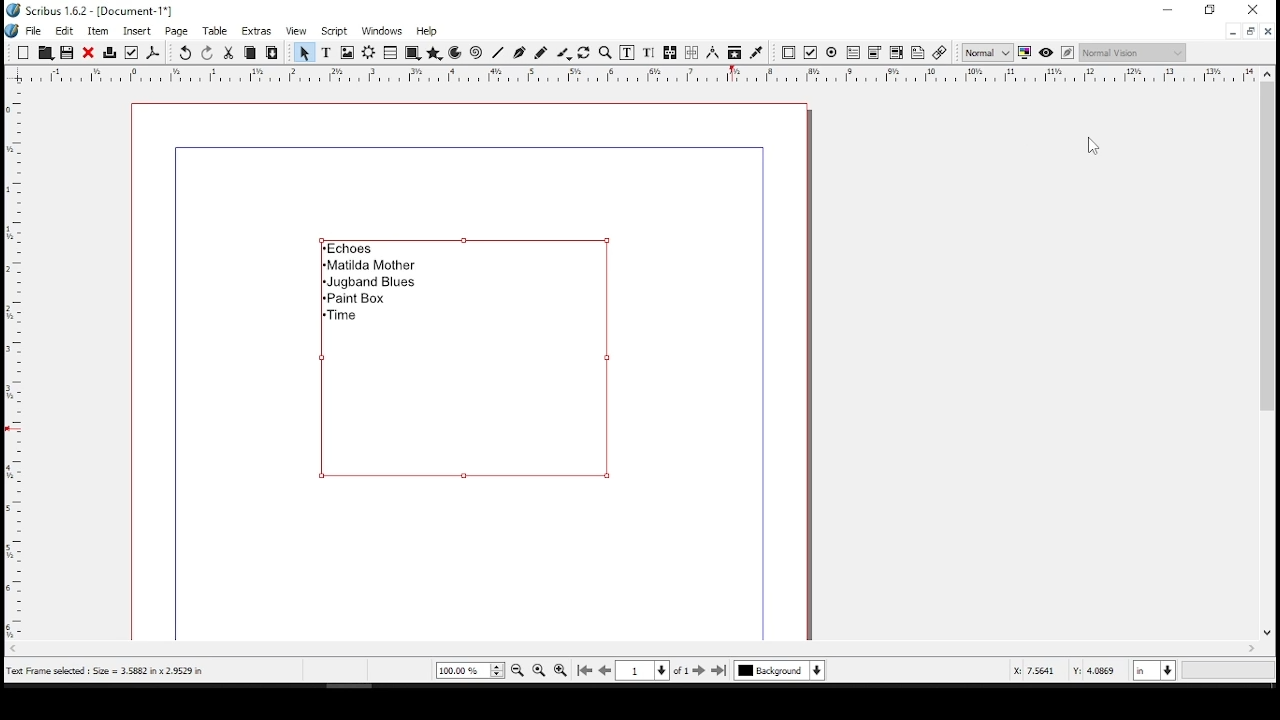  What do you see at coordinates (874, 54) in the screenshot?
I see `pdf combo box` at bounding box center [874, 54].